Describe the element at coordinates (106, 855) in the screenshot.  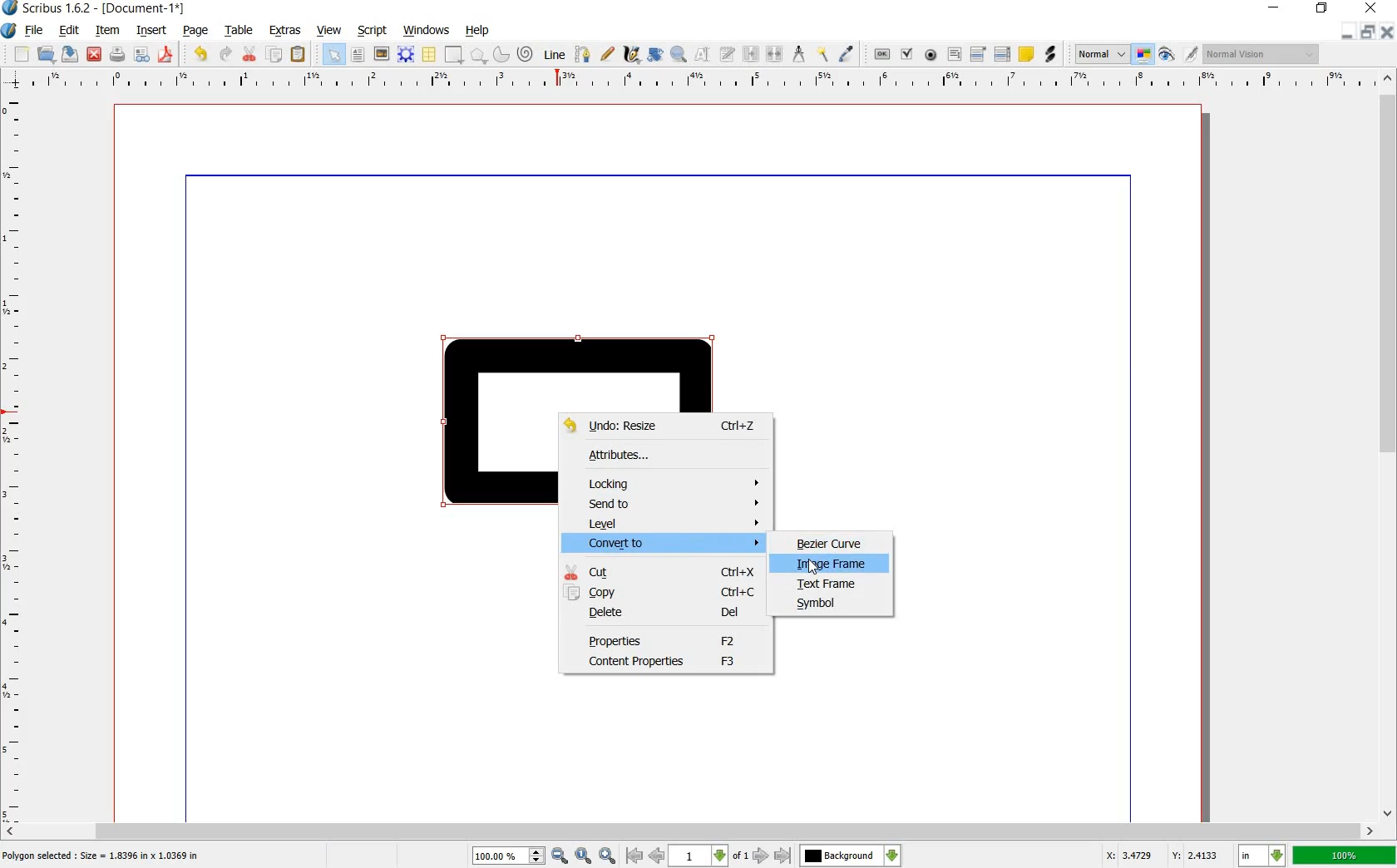
I see `Polygon selected:Size= 1.8396 in* 1.0369 in` at that location.